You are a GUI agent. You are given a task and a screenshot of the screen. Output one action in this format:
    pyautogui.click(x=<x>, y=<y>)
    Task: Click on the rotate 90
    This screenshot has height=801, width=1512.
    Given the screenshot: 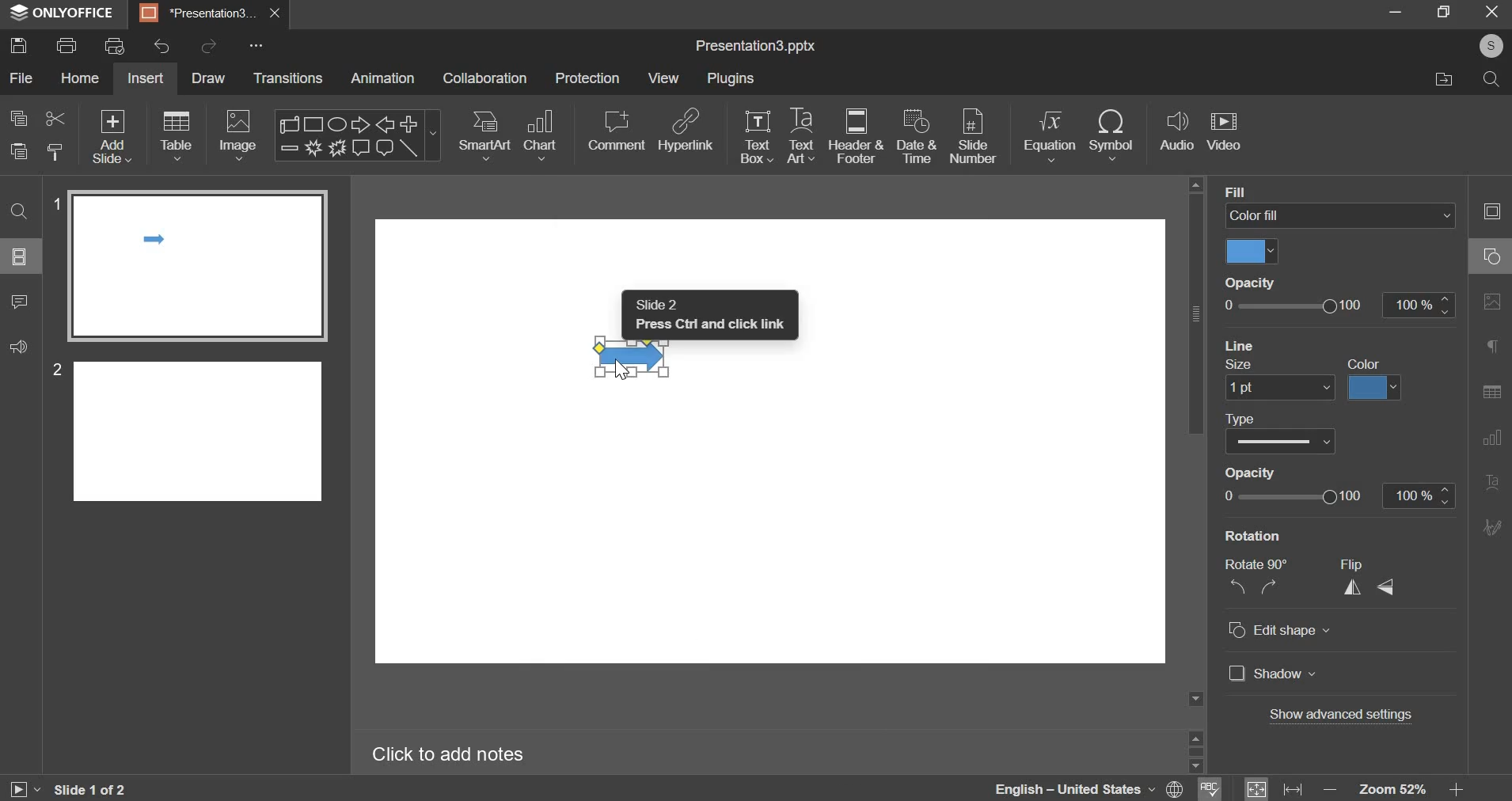 What is the action you would take?
    pyautogui.click(x=1256, y=564)
    